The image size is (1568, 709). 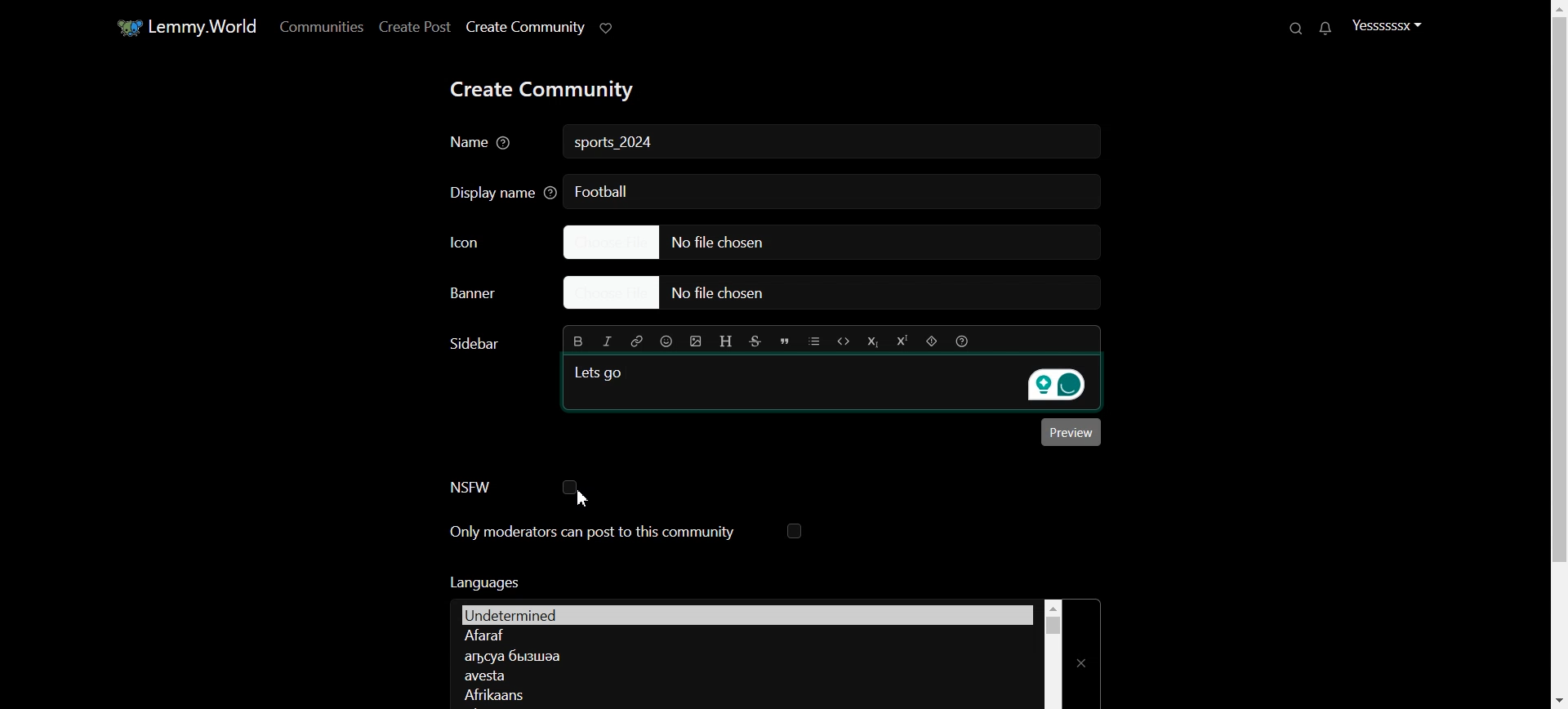 I want to click on Close Window, so click(x=1083, y=653).